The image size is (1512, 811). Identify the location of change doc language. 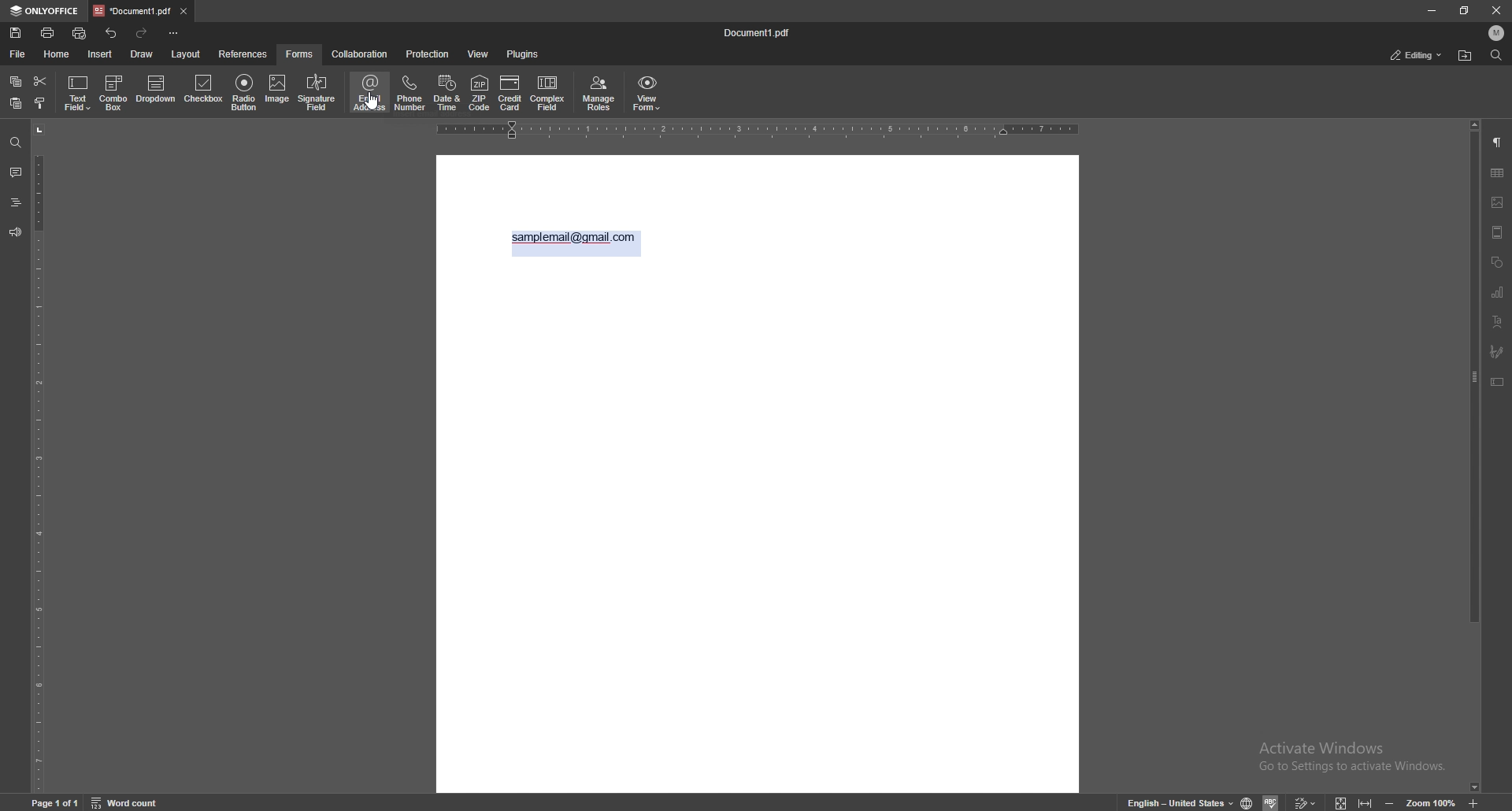
(1249, 802).